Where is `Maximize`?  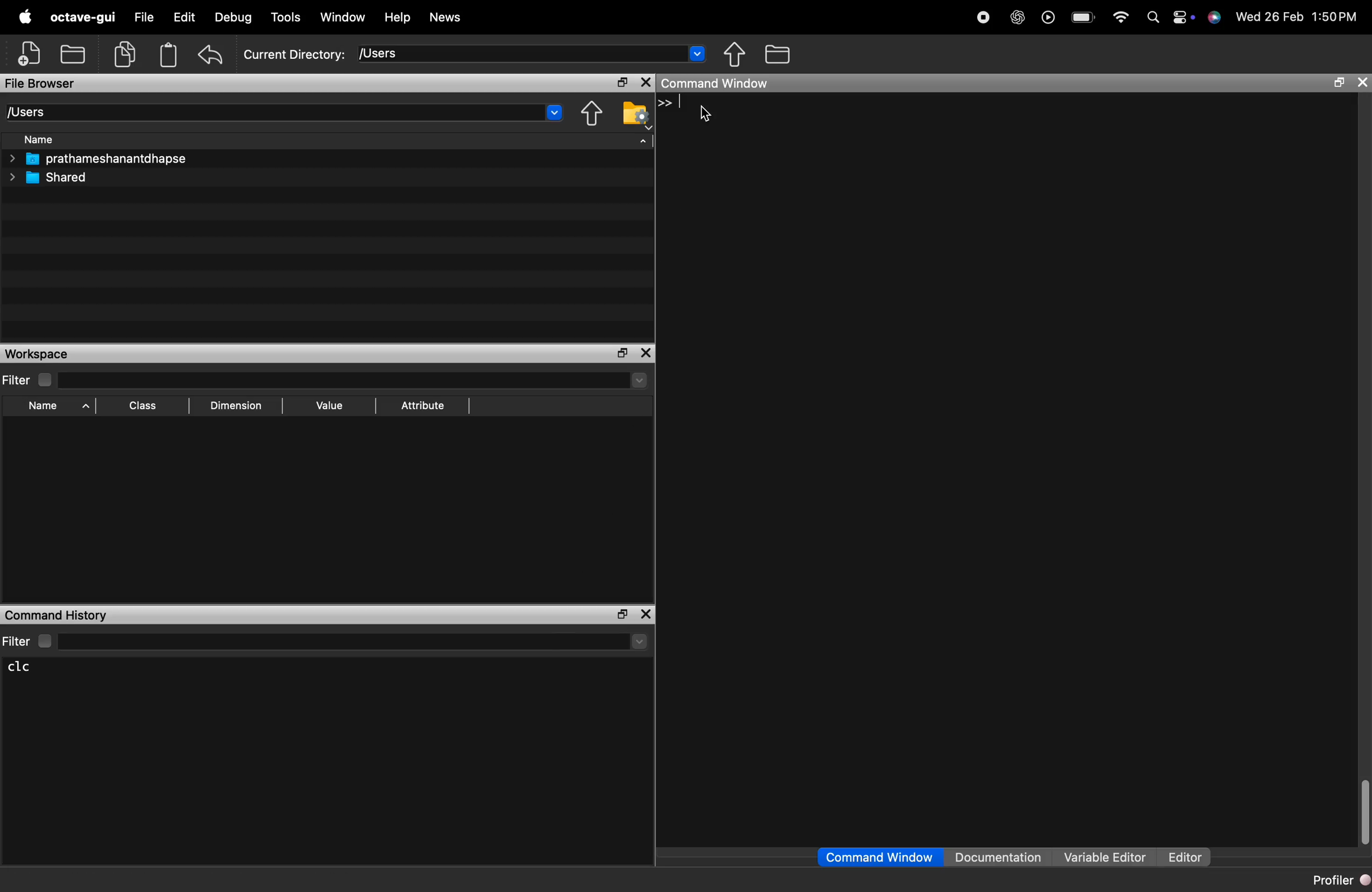
Maximize is located at coordinates (622, 615).